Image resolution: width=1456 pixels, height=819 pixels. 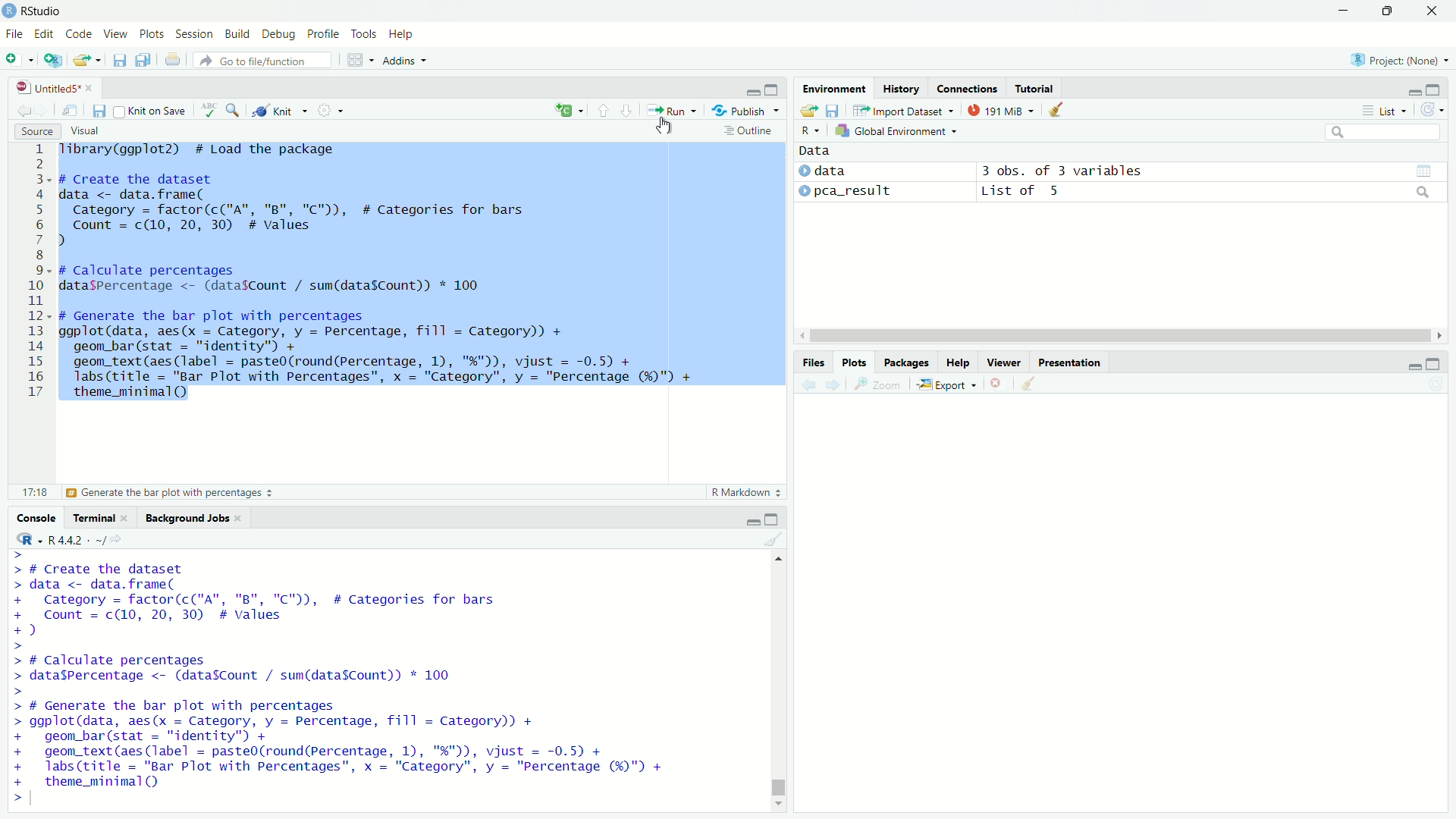 I want to click on session, so click(x=197, y=36).